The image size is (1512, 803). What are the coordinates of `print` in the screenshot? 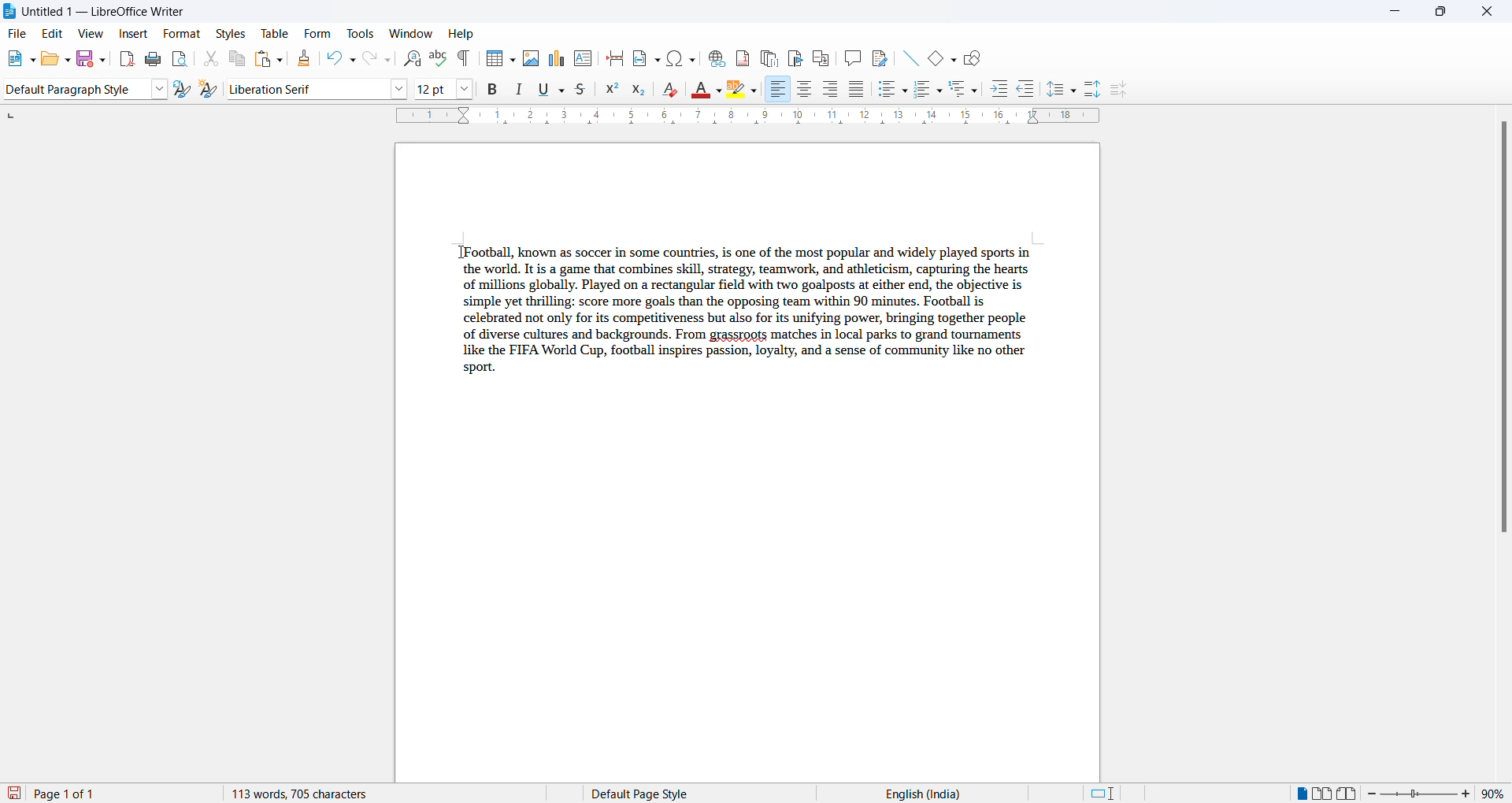 It's located at (154, 60).